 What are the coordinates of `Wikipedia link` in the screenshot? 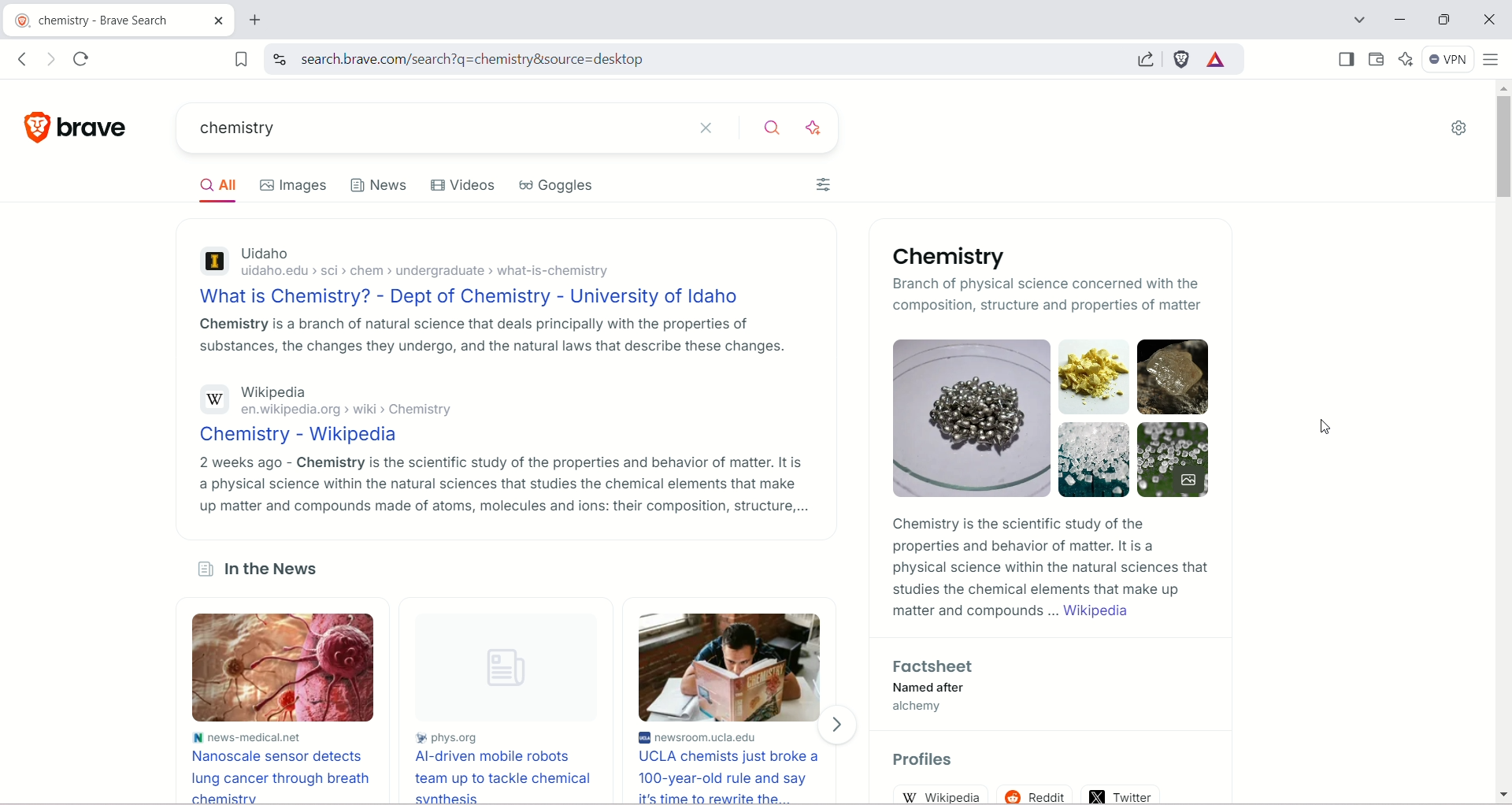 It's located at (1101, 612).